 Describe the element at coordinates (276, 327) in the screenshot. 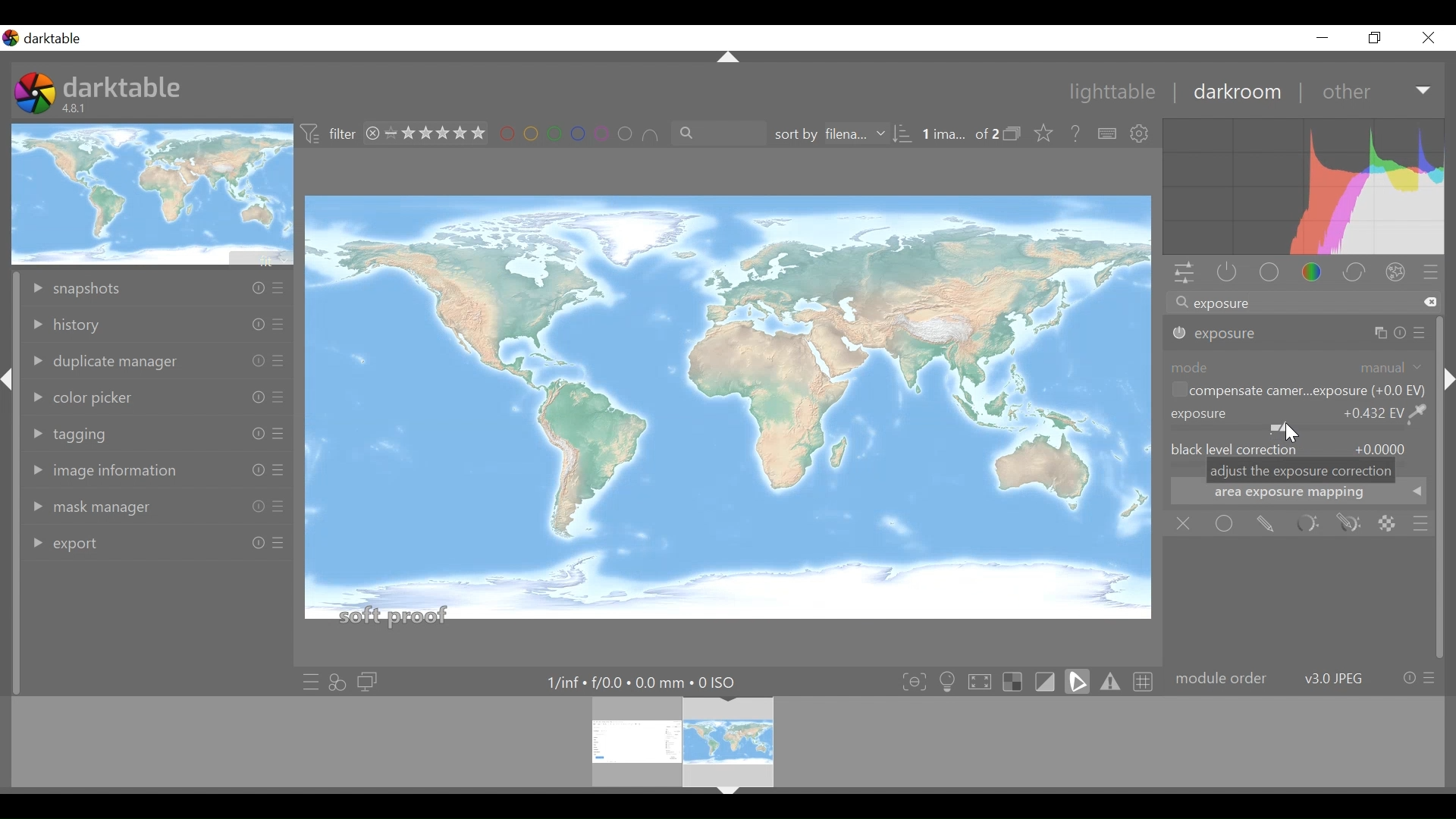

I see `` at that location.